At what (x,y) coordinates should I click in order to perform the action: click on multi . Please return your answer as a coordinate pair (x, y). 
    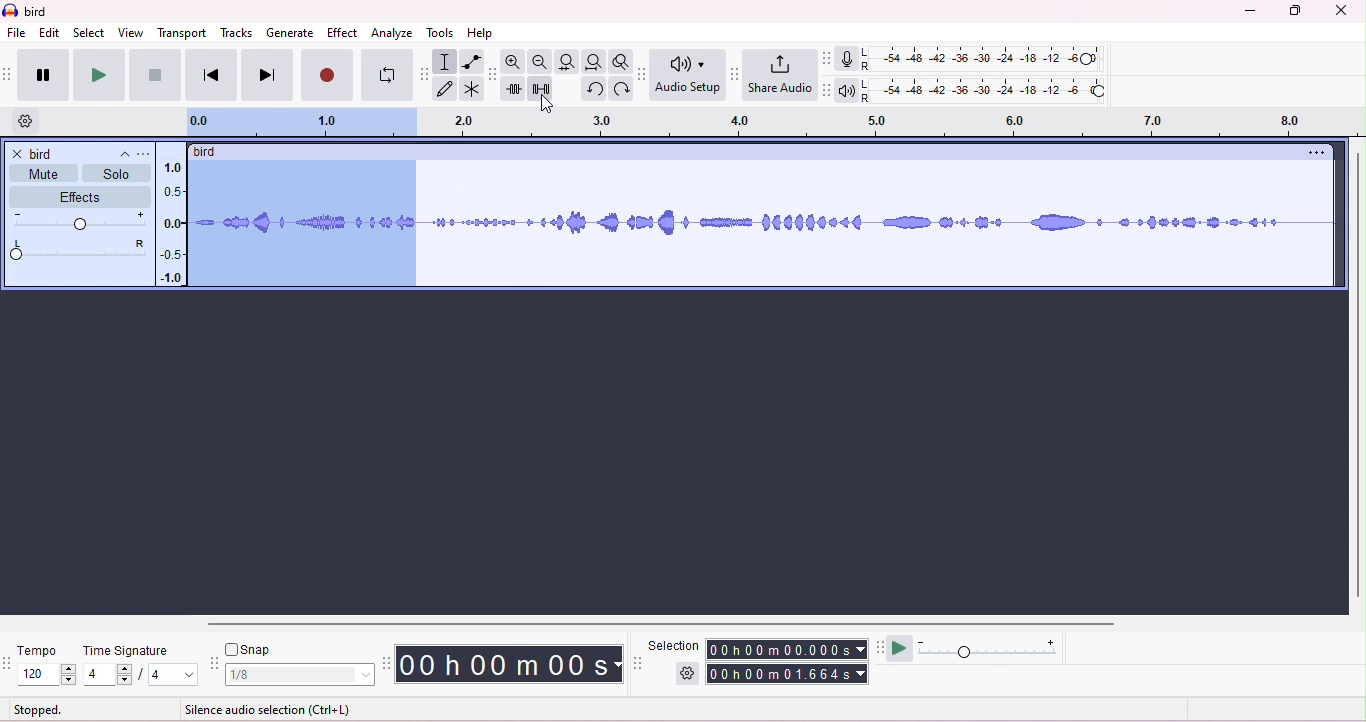
    Looking at the image, I should click on (470, 89).